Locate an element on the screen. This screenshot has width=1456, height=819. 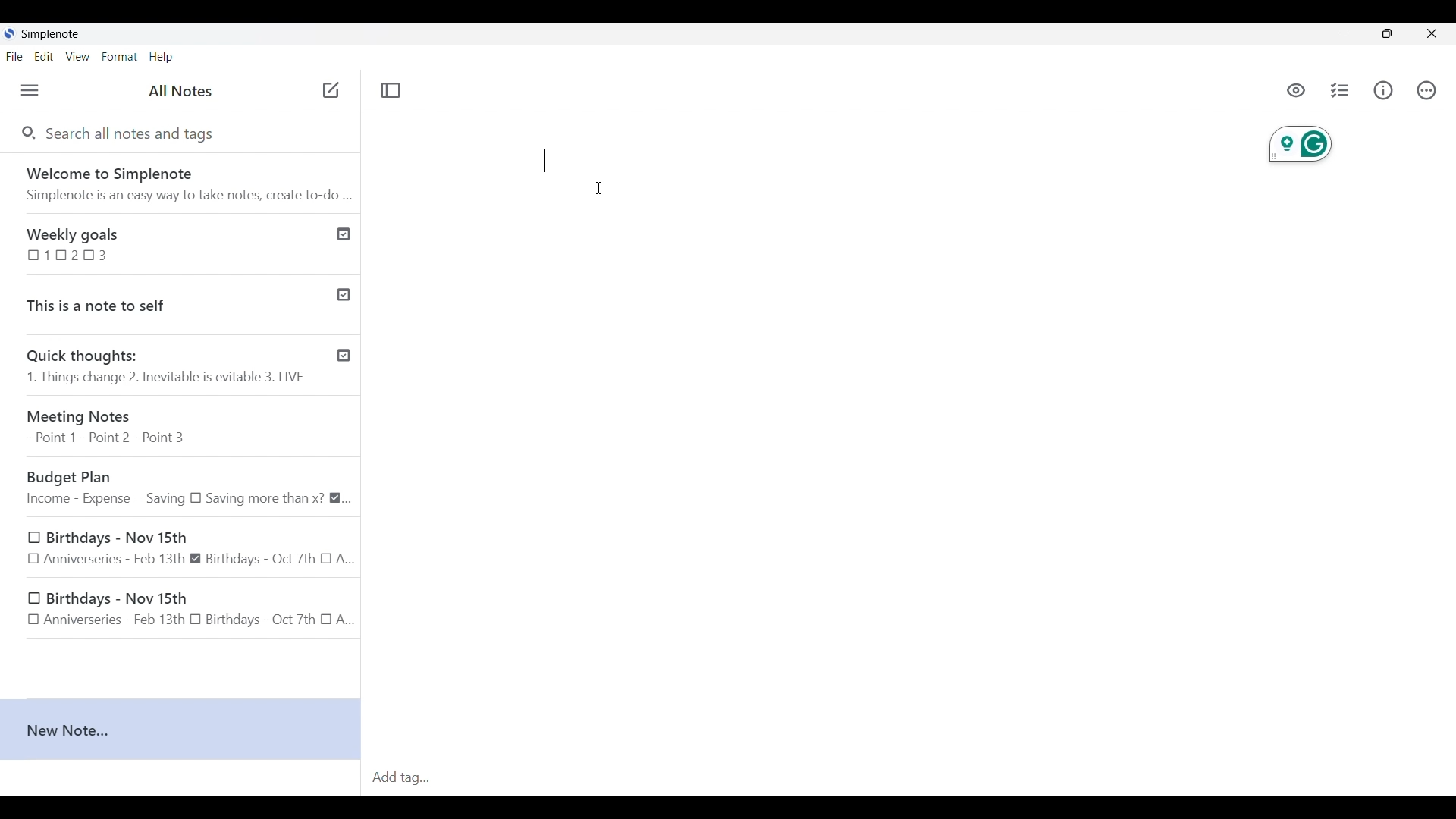
File menu is located at coordinates (14, 56).